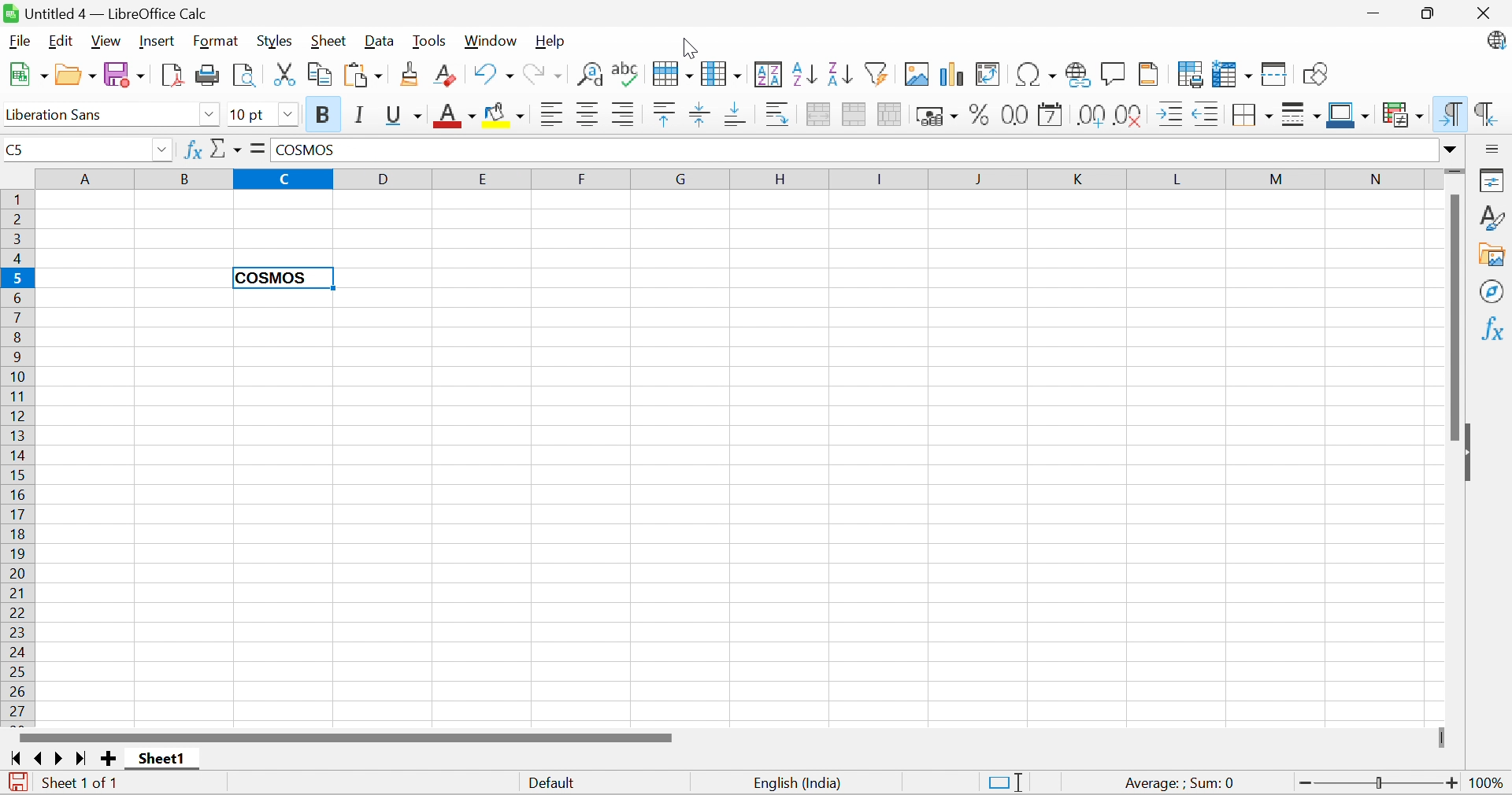  Describe the element at coordinates (721, 72) in the screenshot. I see `Column` at that location.